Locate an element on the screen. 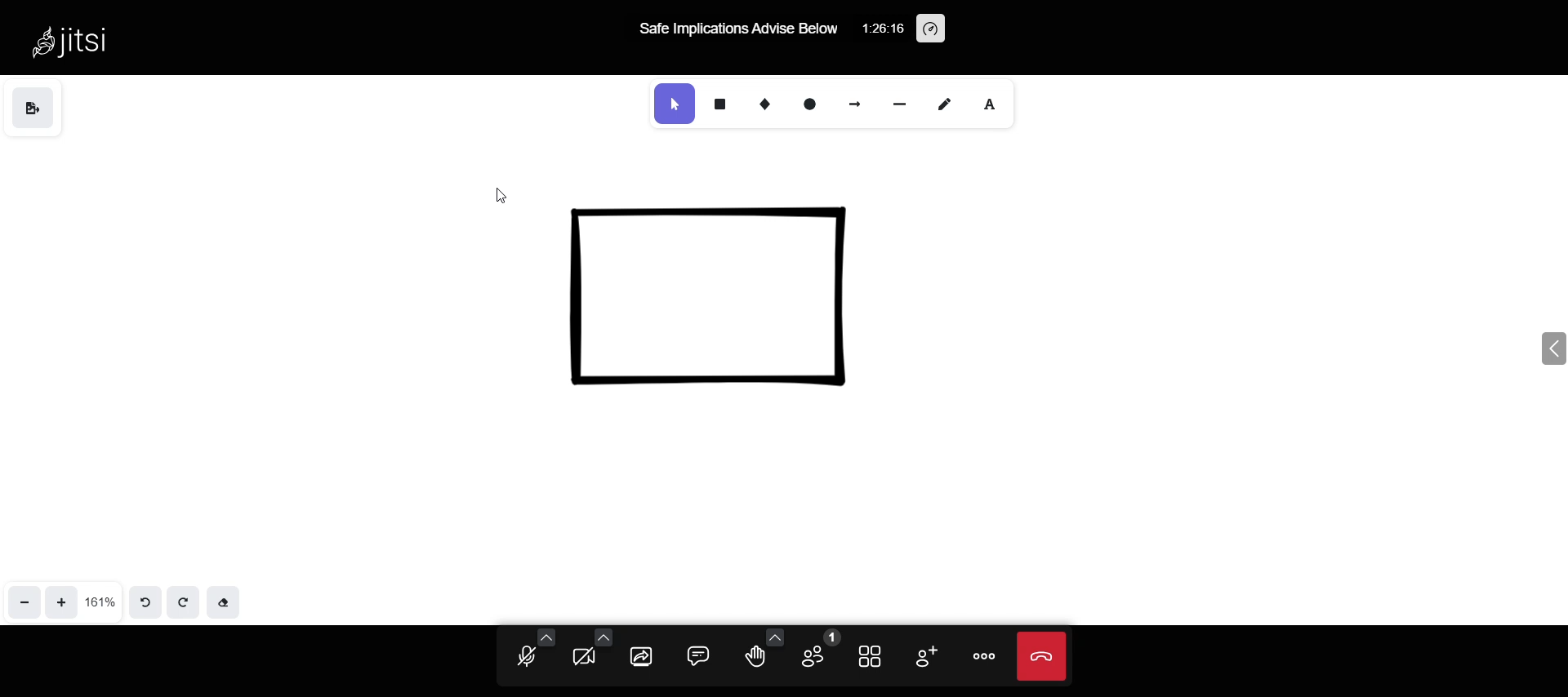 This screenshot has width=1568, height=697. comment box is located at coordinates (700, 652).